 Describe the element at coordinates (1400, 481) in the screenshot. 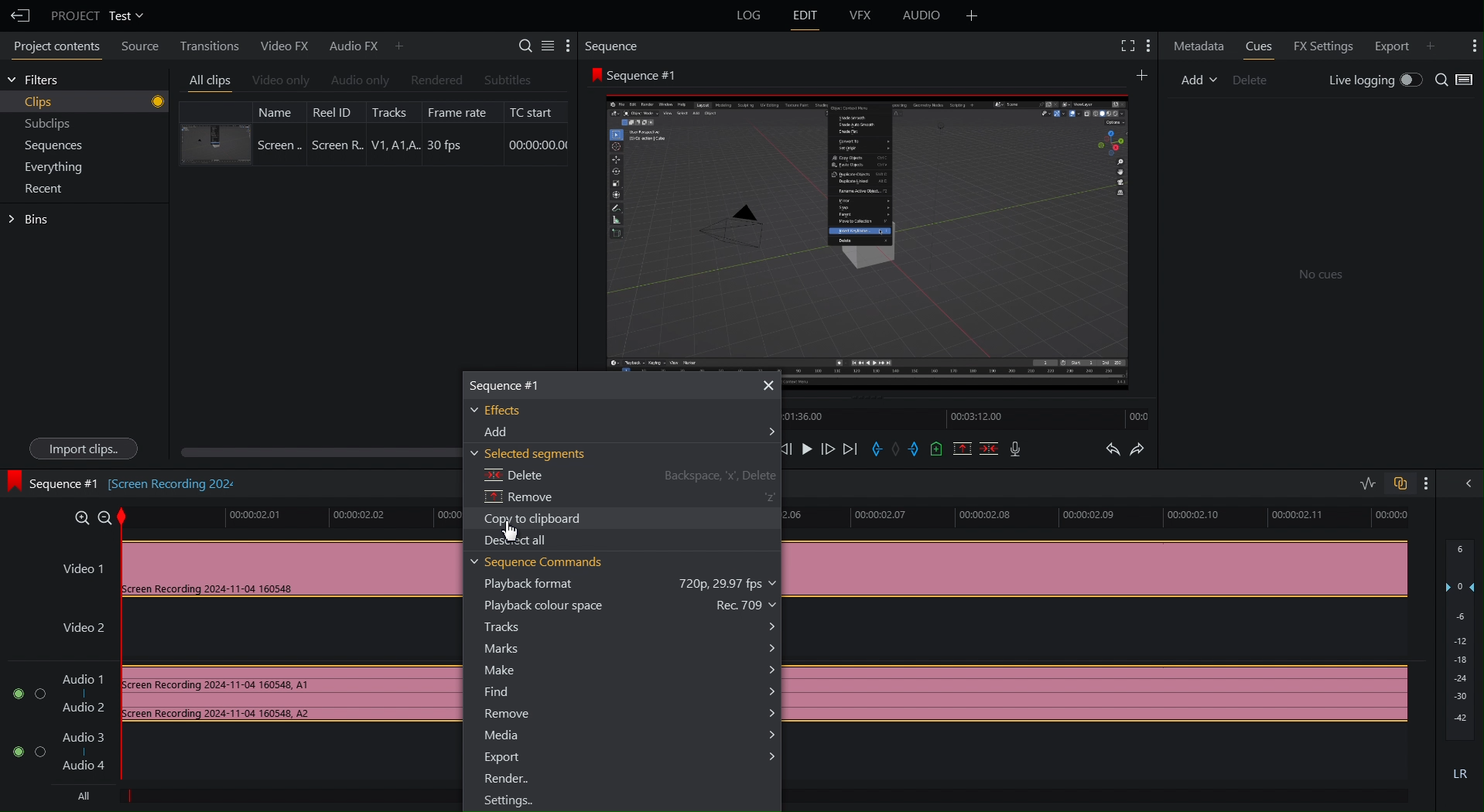

I see `Toggle Auto Sync` at that location.